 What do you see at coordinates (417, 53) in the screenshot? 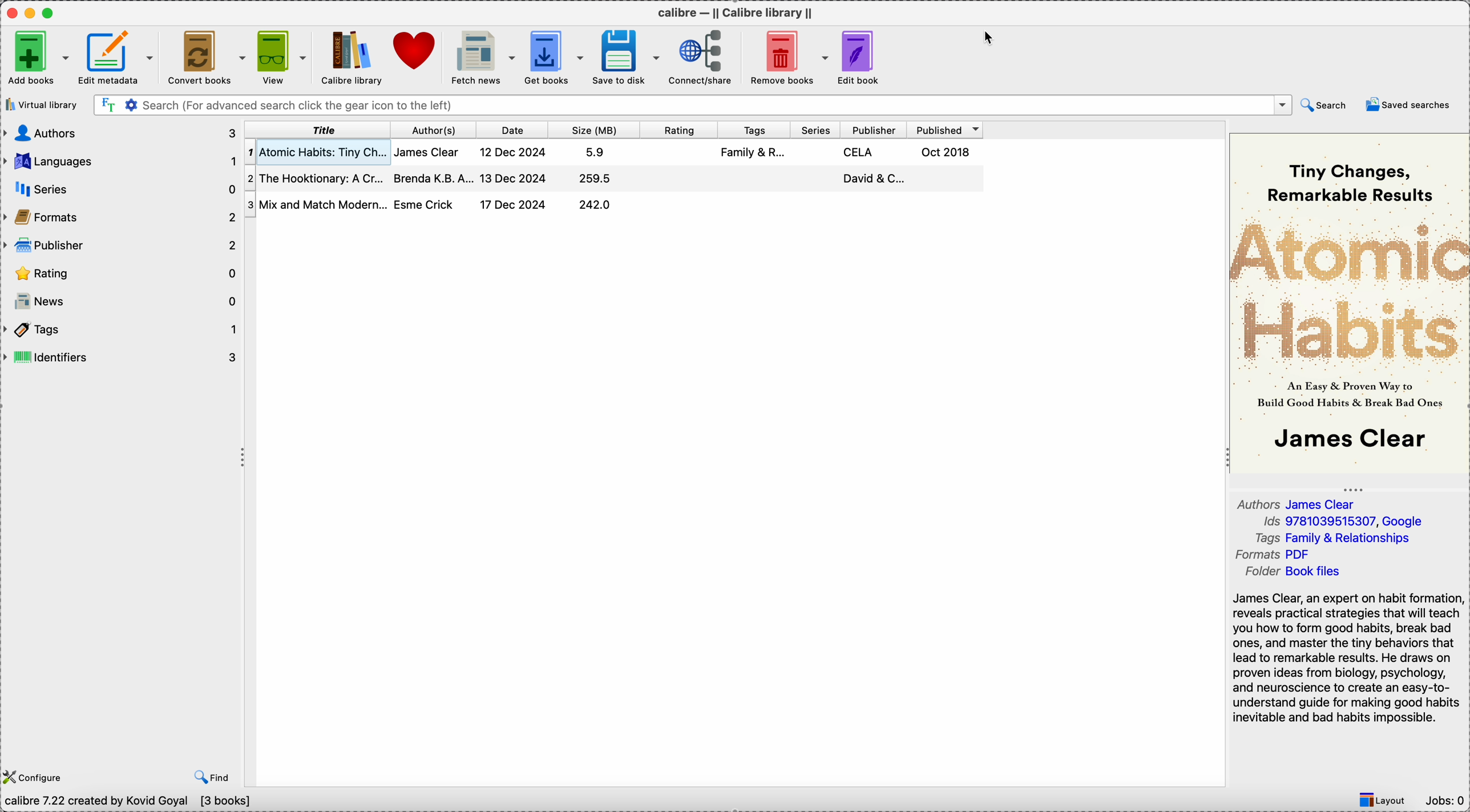
I see `donate` at bounding box center [417, 53].